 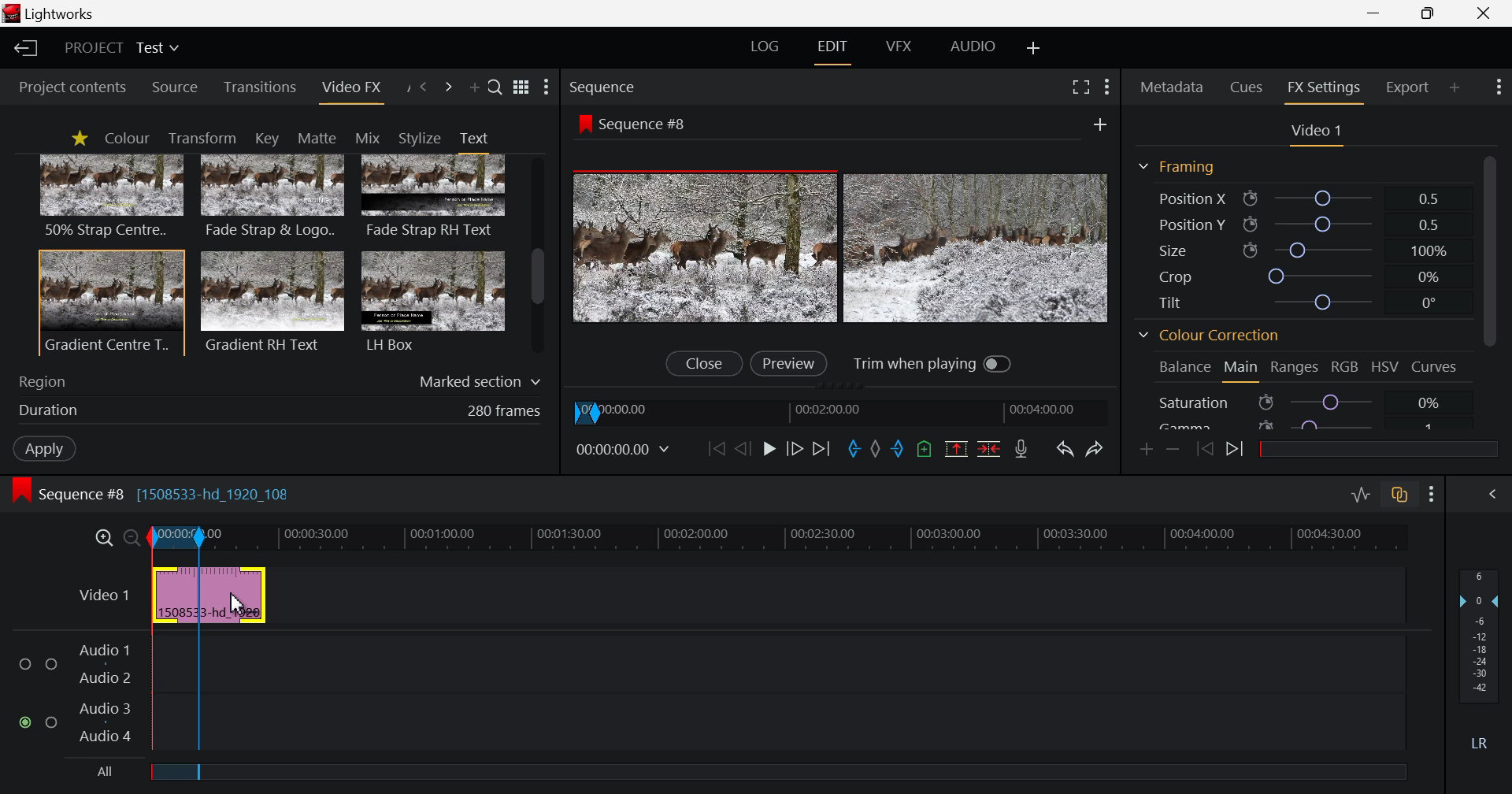 I want to click on Key, so click(x=265, y=139).